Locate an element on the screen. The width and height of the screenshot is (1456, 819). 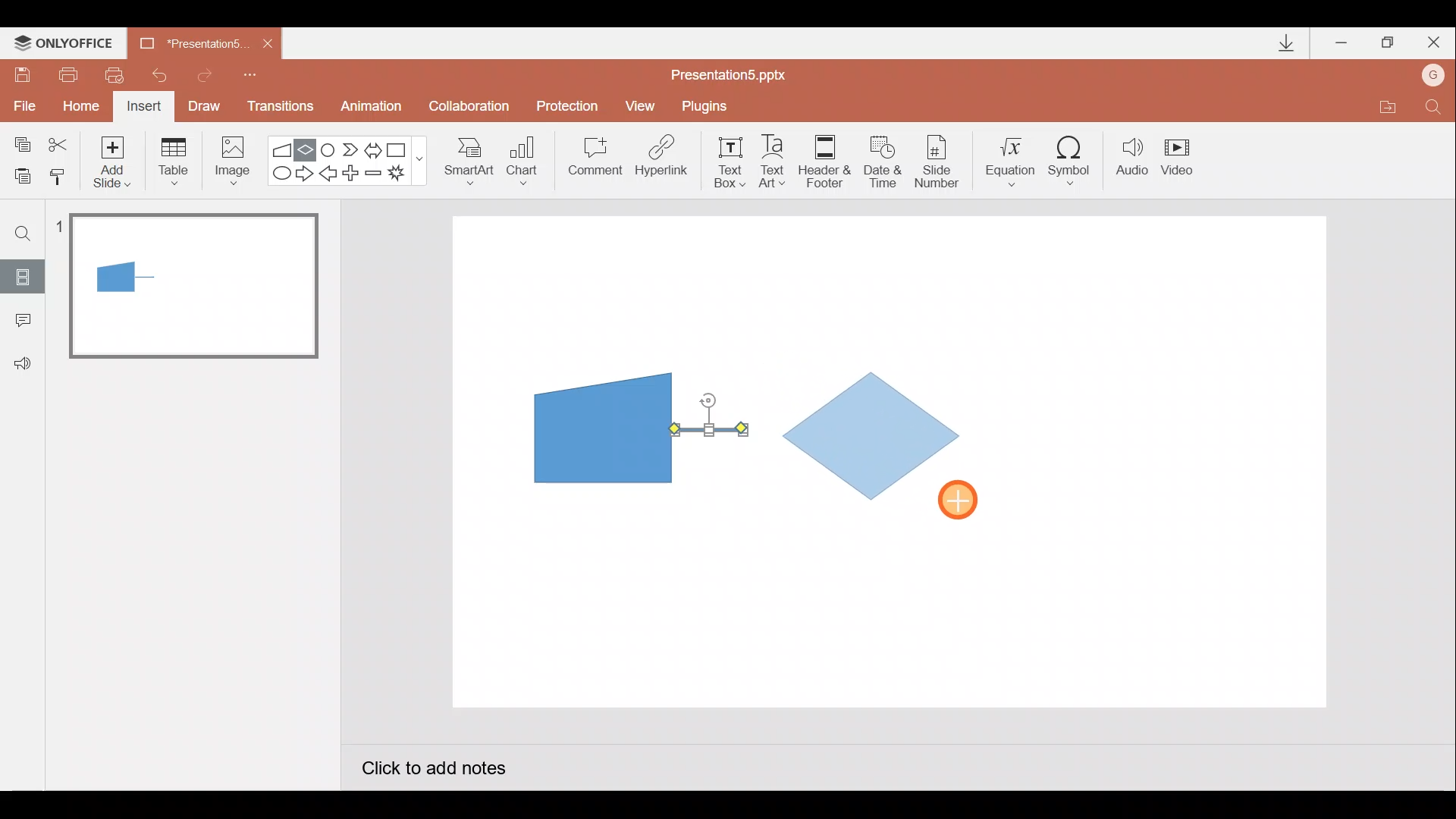
Flowchart - manual input is located at coordinates (284, 148).